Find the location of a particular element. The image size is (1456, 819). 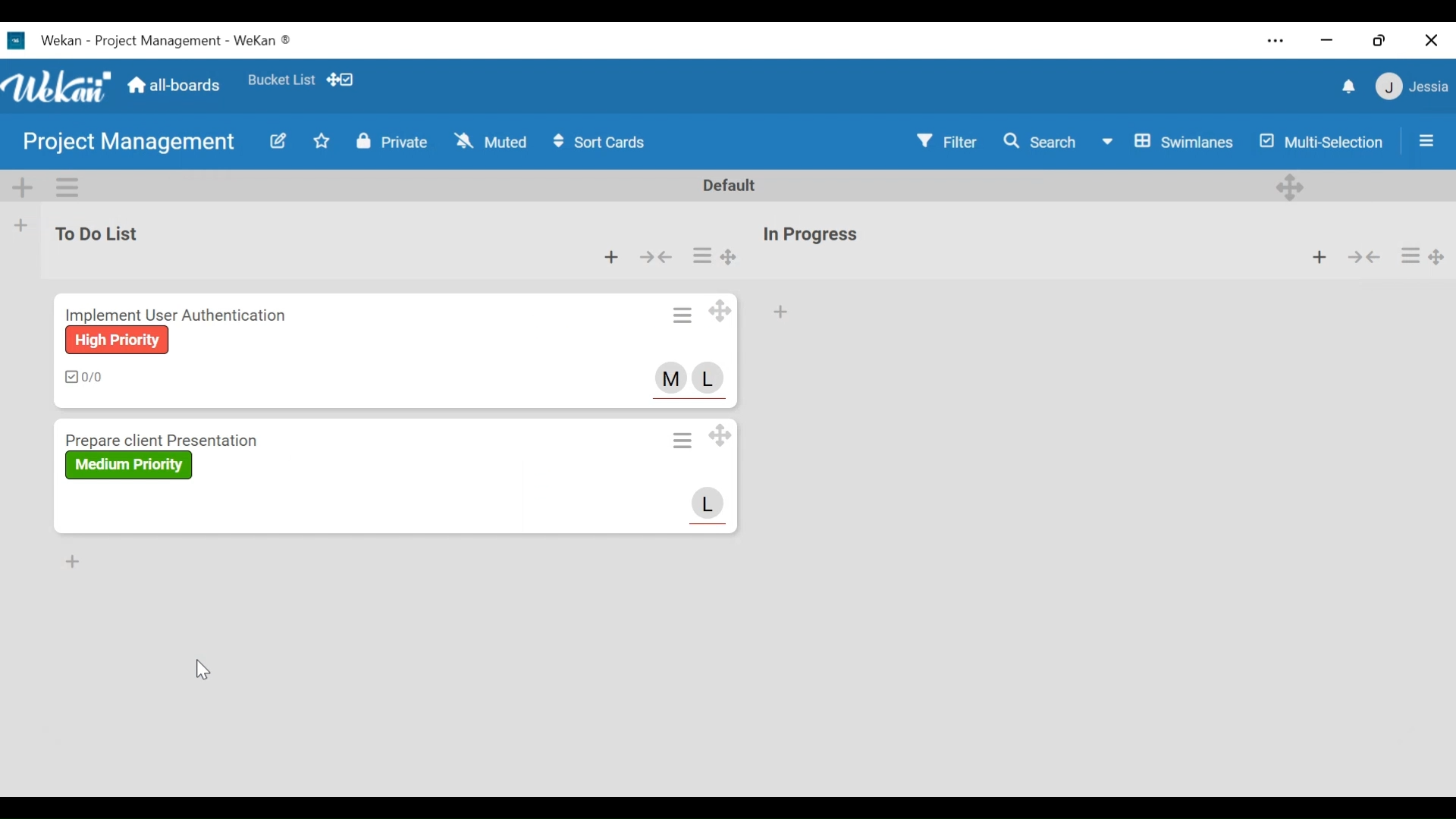

member is located at coordinates (670, 378).